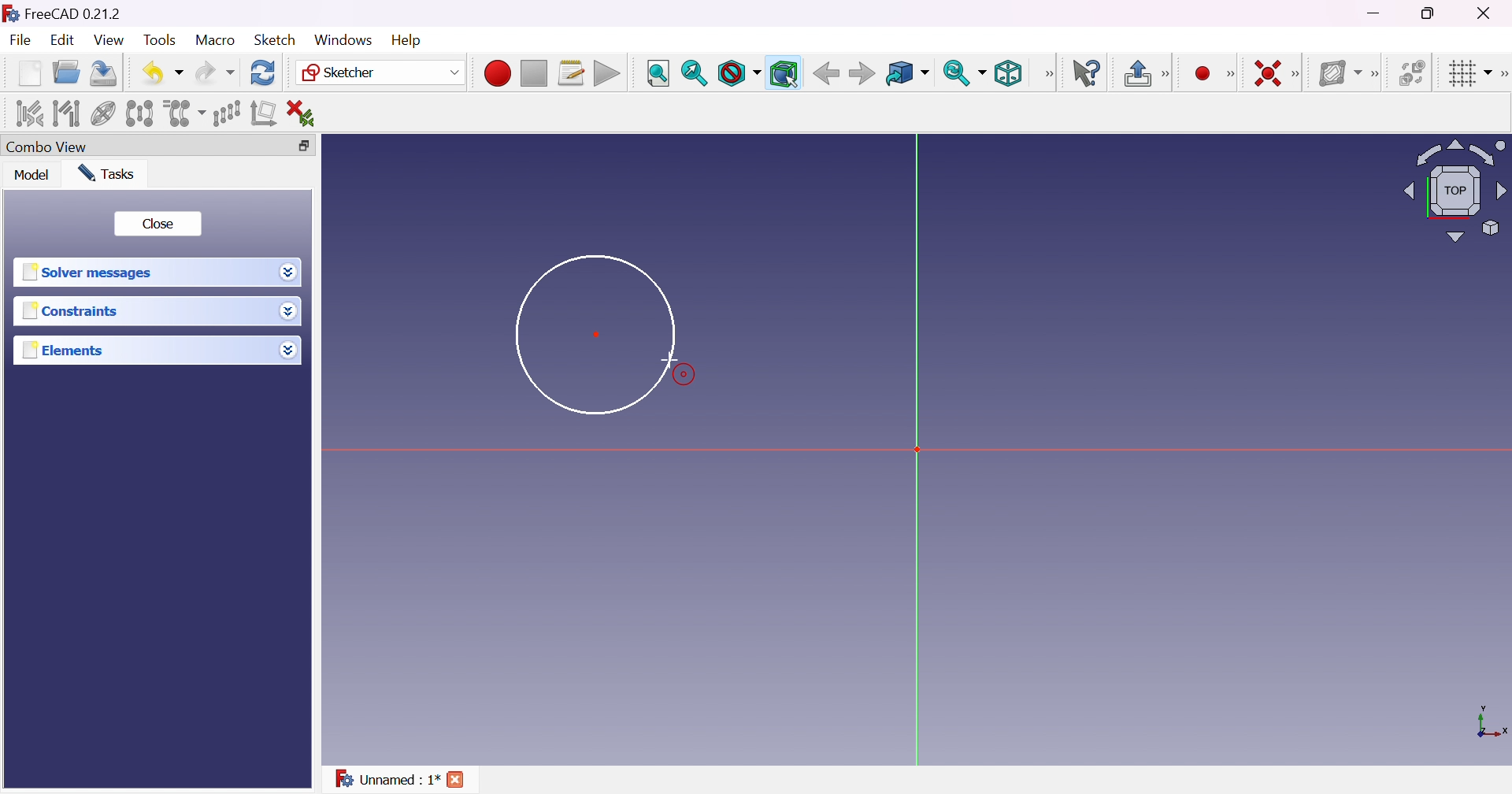 This screenshot has width=1512, height=794. Describe the element at coordinates (288, 274) in the screenshot. I see `Drop down` at that location.